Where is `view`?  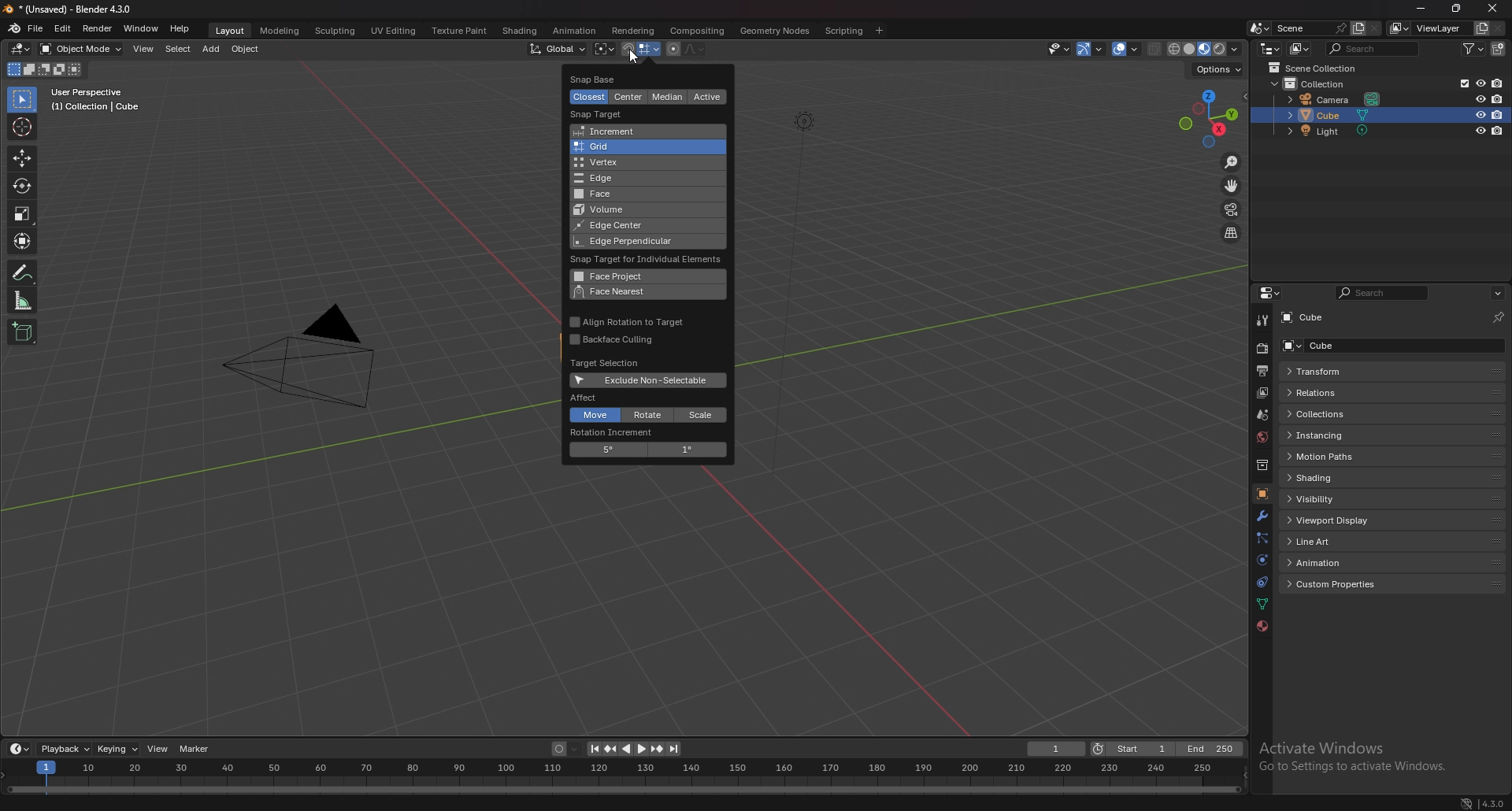 view is located at coordinates (159, 750).